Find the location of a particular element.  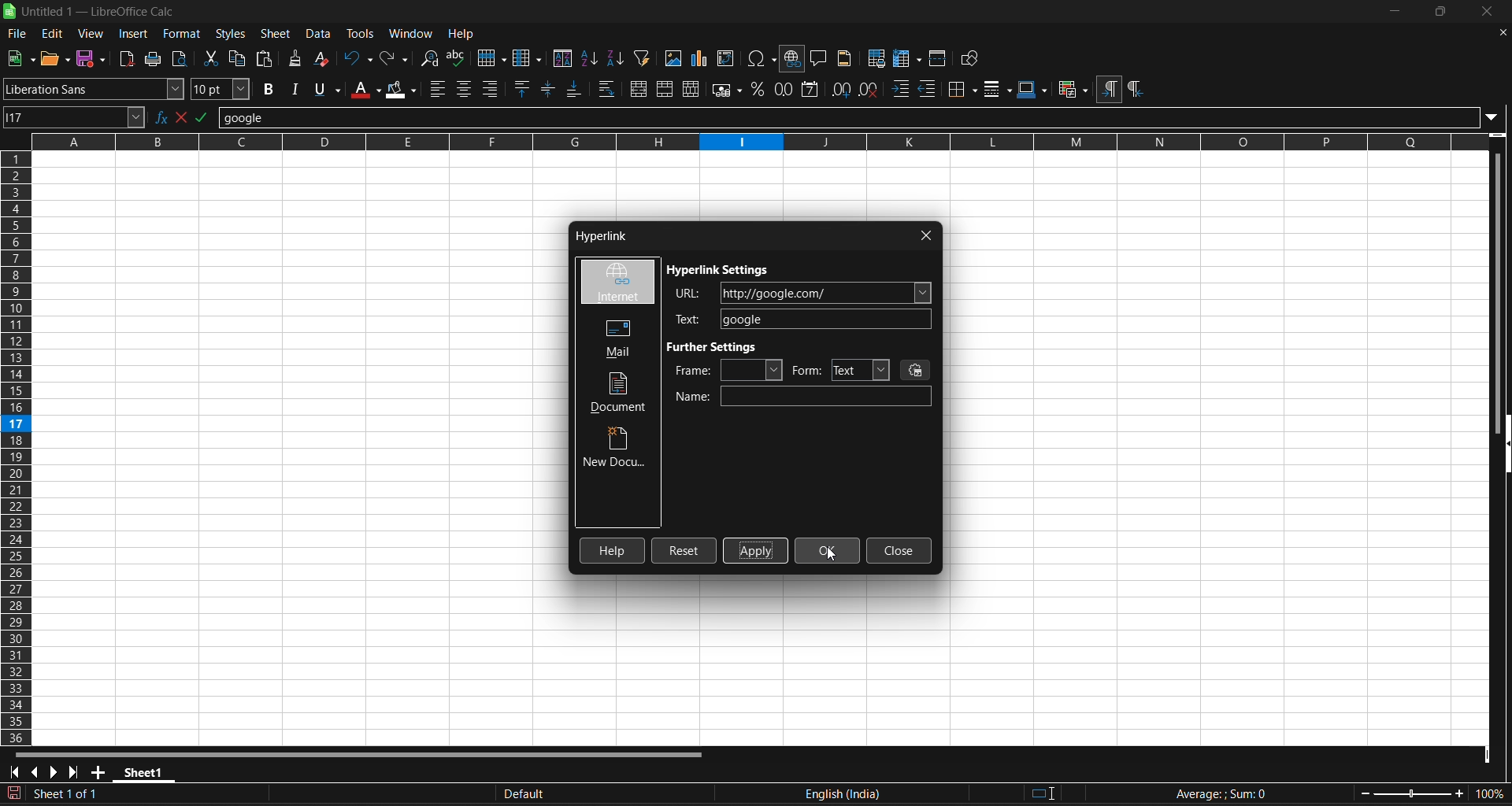

remove decimal place is located at coordinates (870, 90).